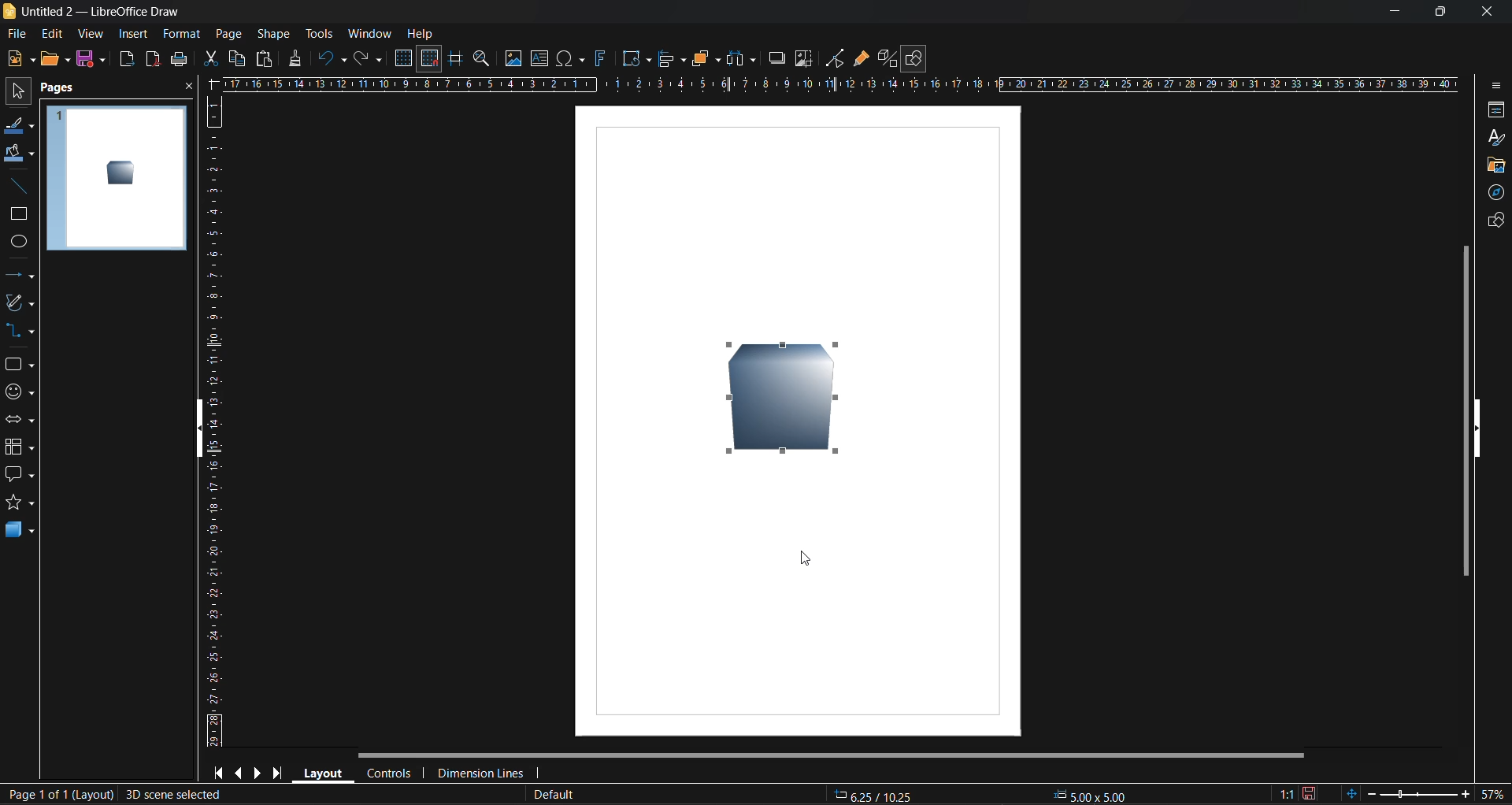  Describe the element at coordinates (743, 57) in the screenshot. I see `distribute` at that location.